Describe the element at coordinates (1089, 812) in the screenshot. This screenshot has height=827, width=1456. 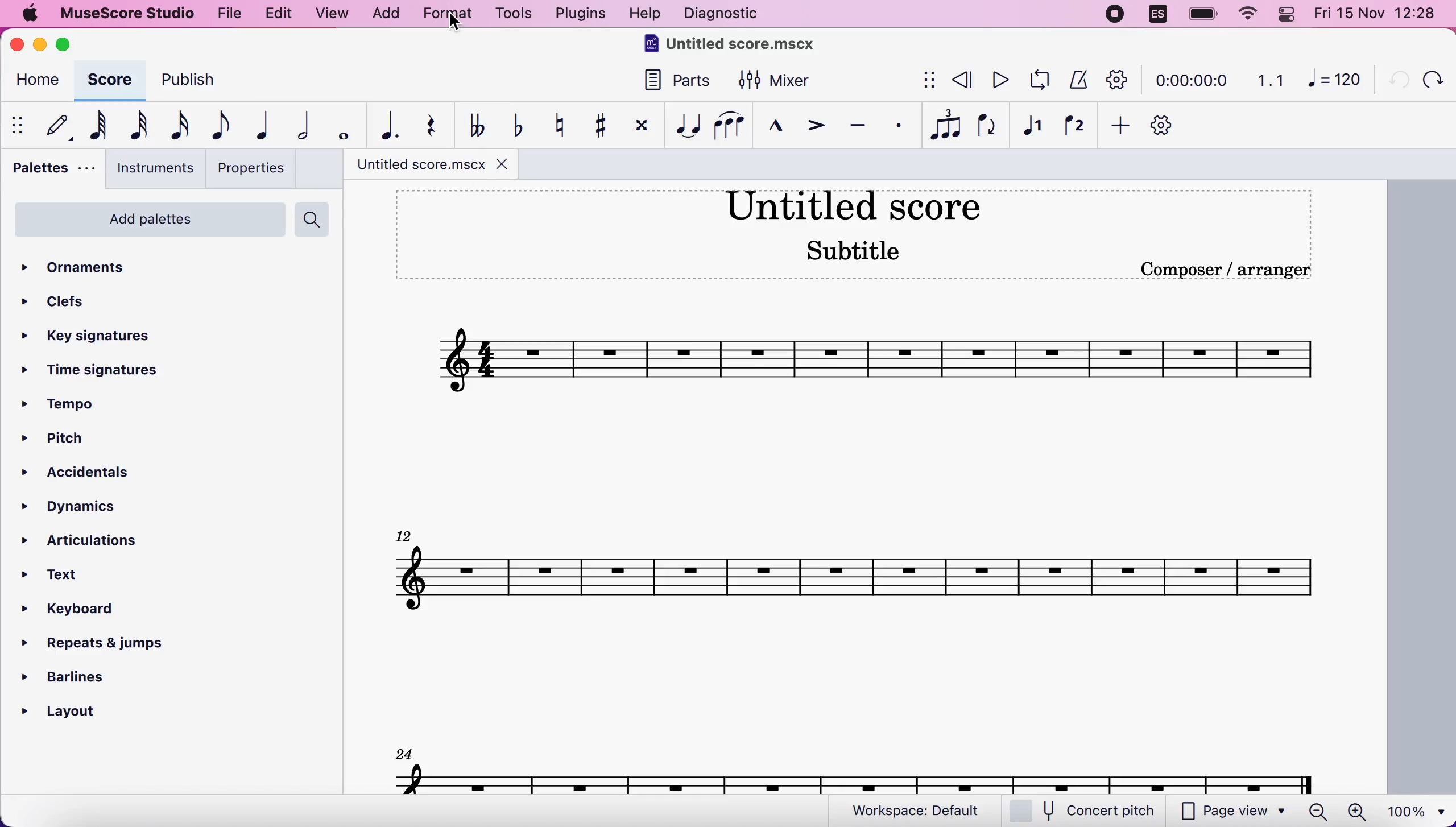
I see `concert pitch` at that location.